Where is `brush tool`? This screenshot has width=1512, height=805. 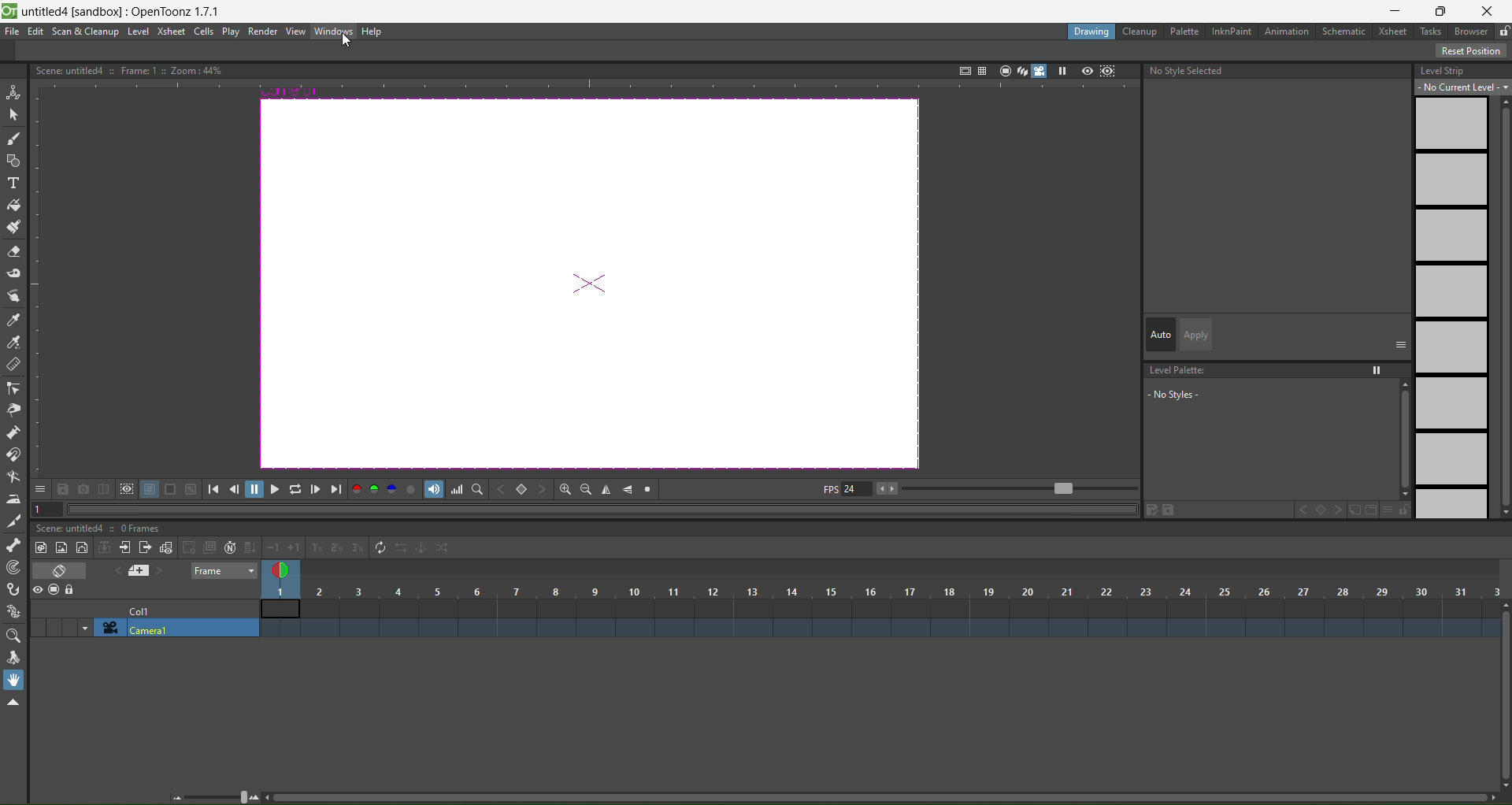
brush tool is located at coordinates (14, 139).